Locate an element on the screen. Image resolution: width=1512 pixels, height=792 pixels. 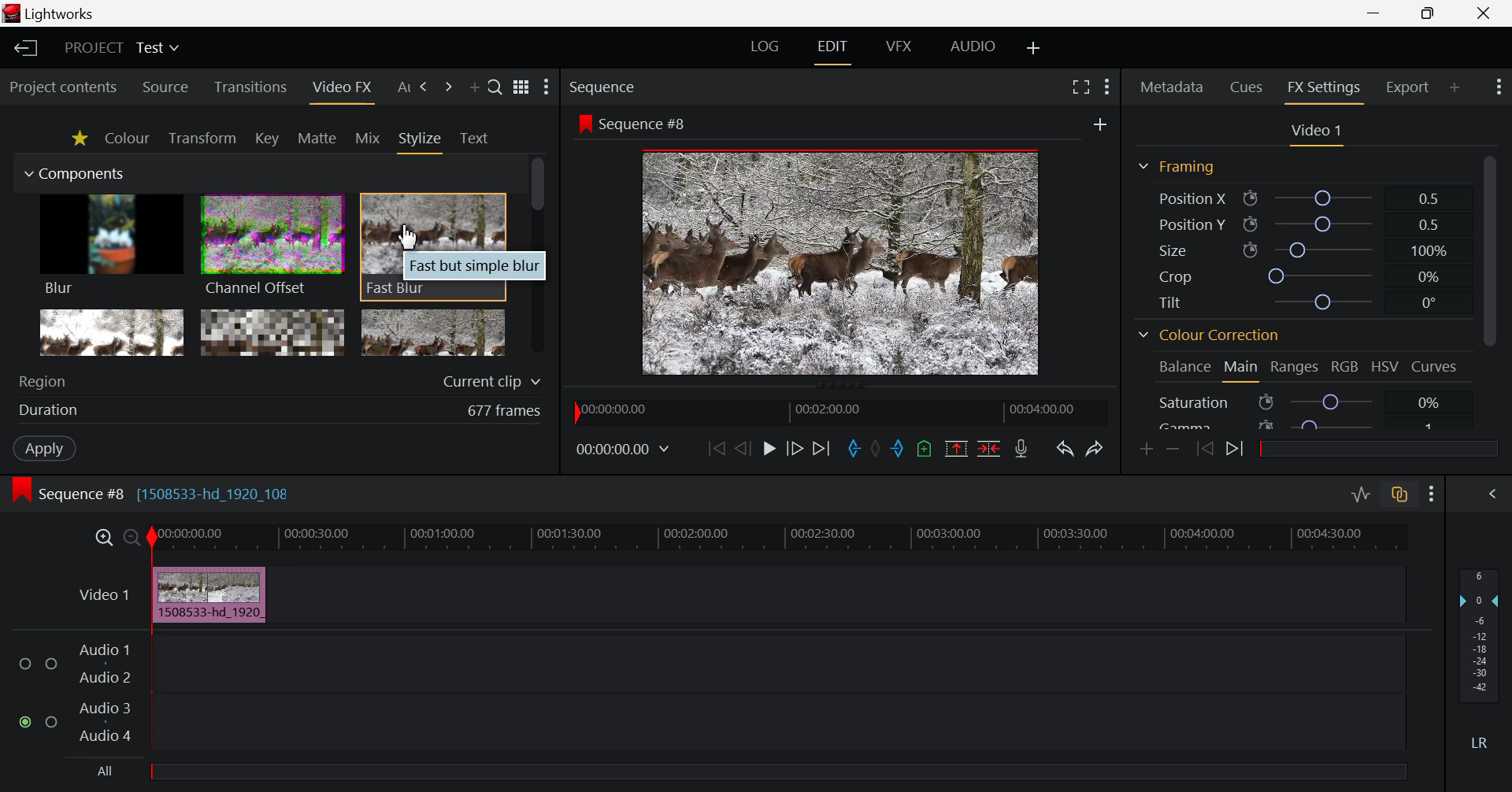
Decibel Level is located at coordinates (1480, 662).